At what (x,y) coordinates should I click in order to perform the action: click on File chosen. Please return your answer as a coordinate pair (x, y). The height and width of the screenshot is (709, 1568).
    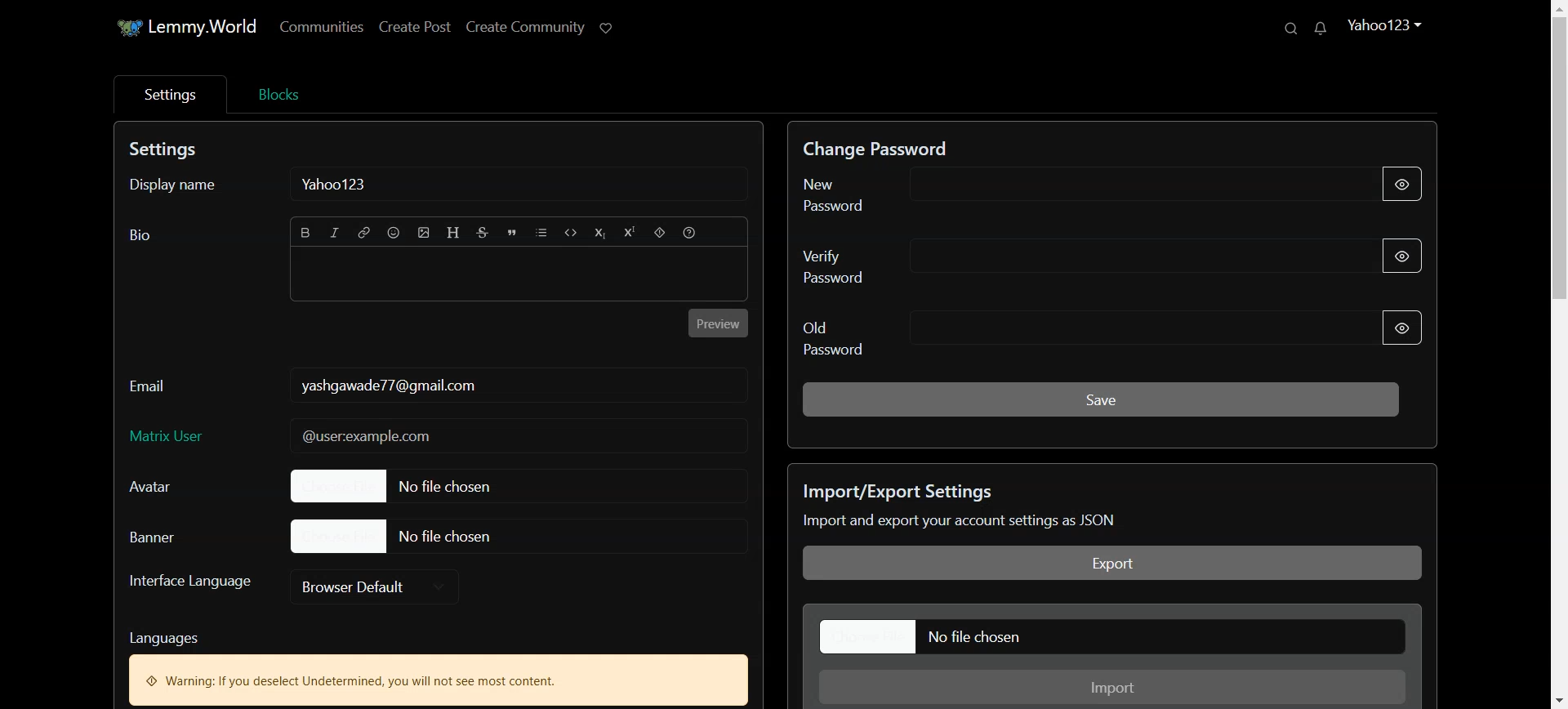
    Looking at the image, I should click on (1115, 636).